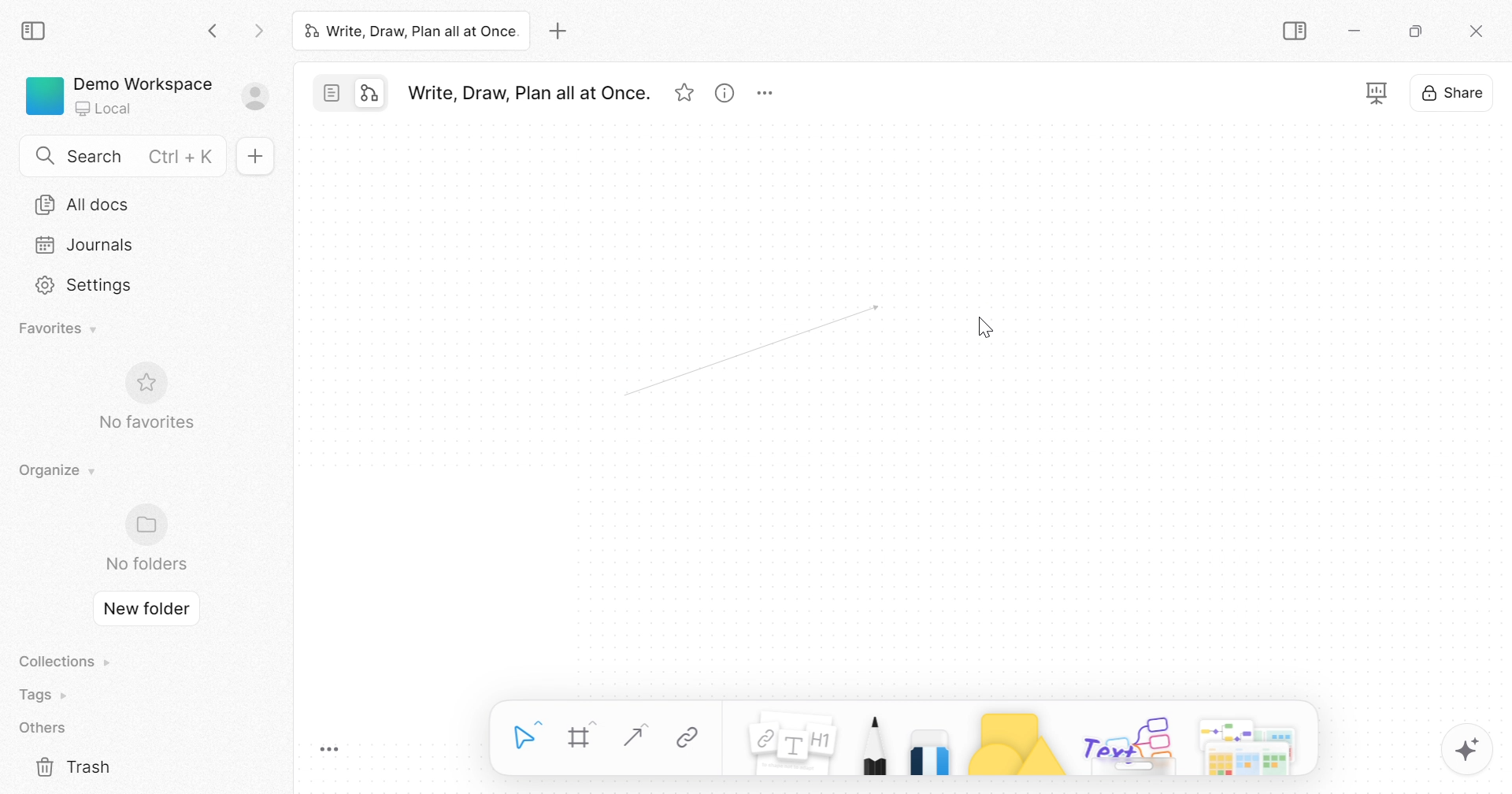 This screenshot has height=794, width=1512. Describe the element at coordinates (561, 31) in the screenshot. I see `Add new tab` at that location.